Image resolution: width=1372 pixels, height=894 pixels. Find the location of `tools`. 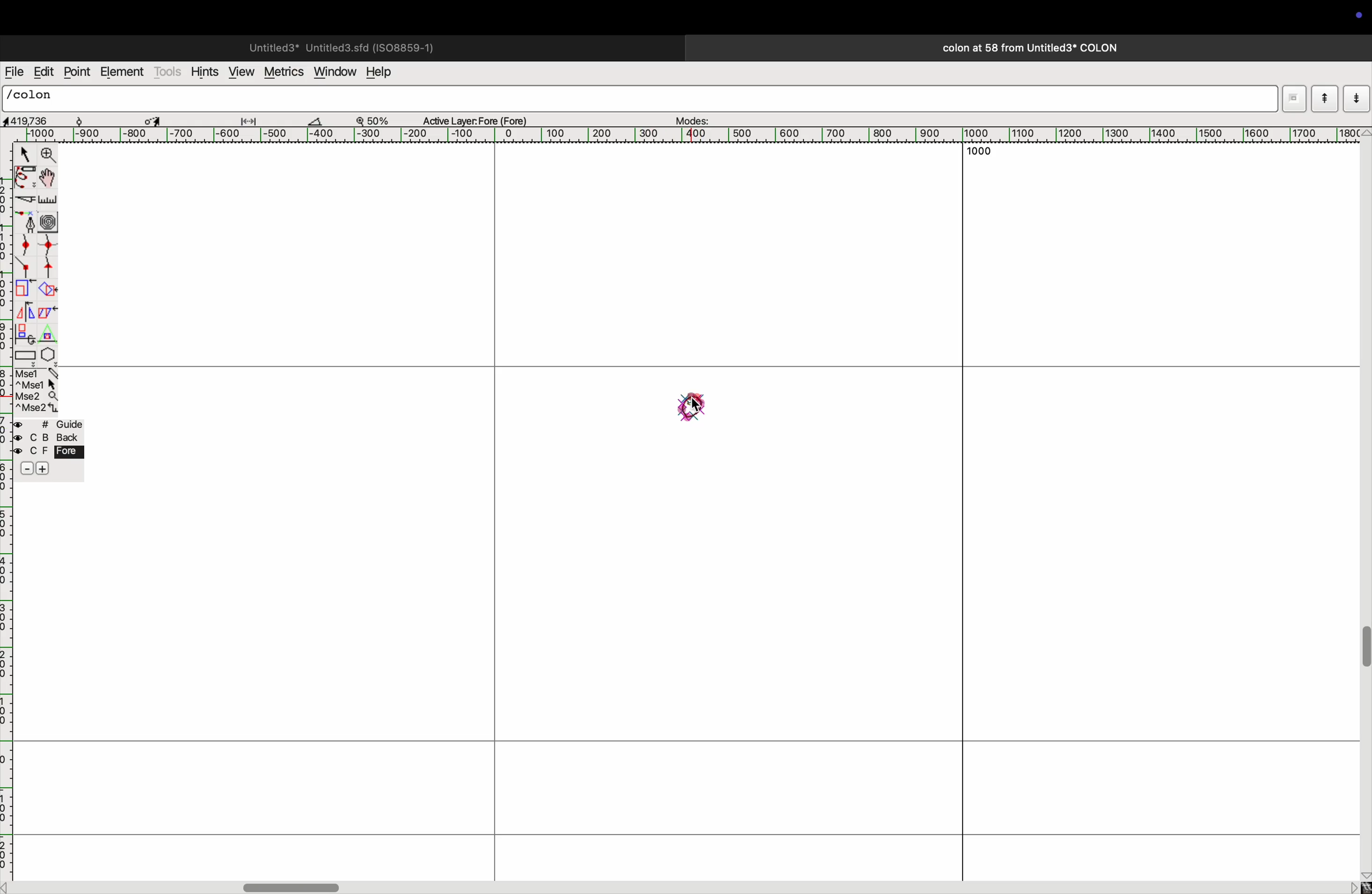

tools is located at coordinates (168, 72).